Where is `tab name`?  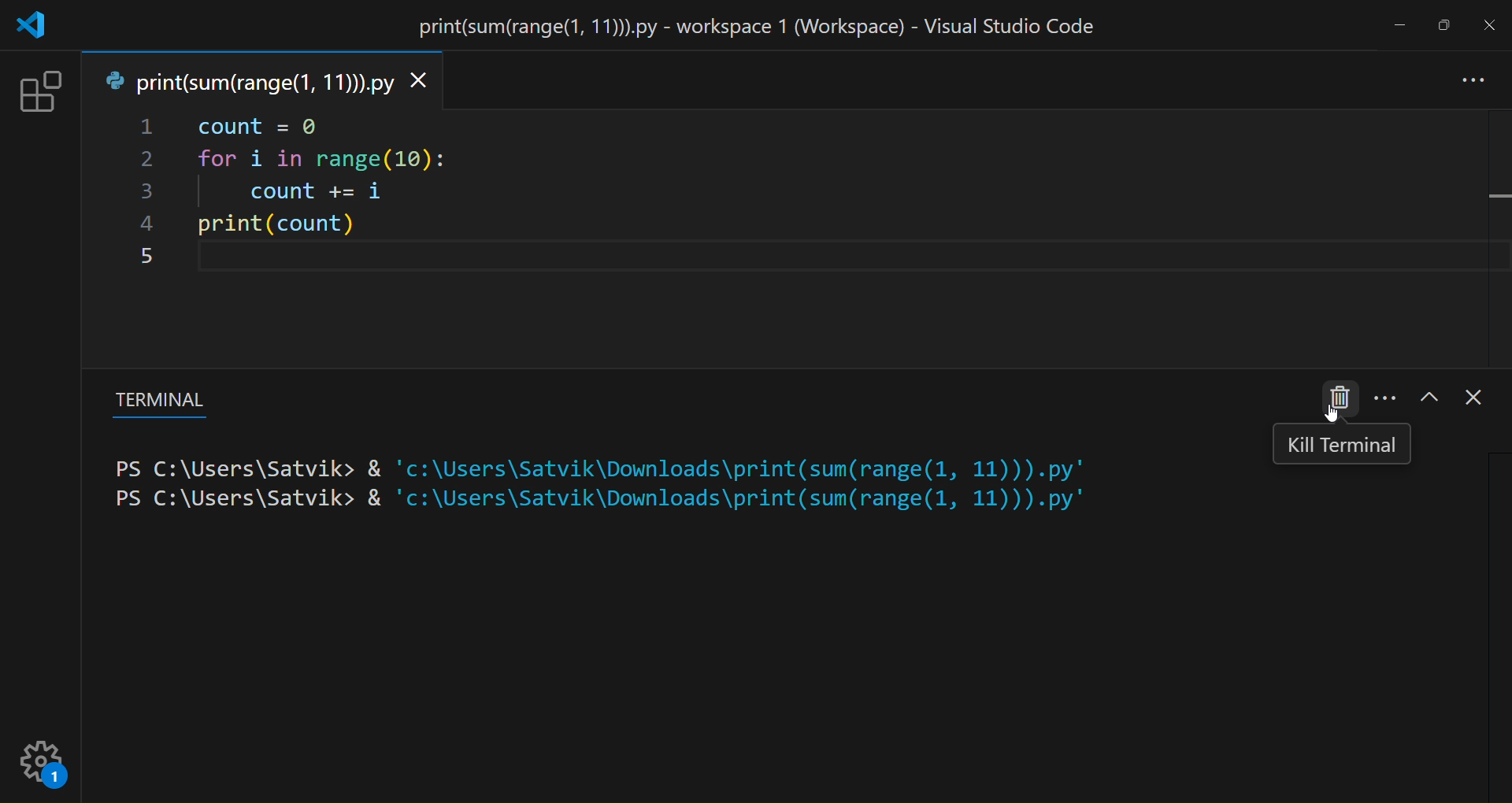
tab name is located at coordinates (246, 81).